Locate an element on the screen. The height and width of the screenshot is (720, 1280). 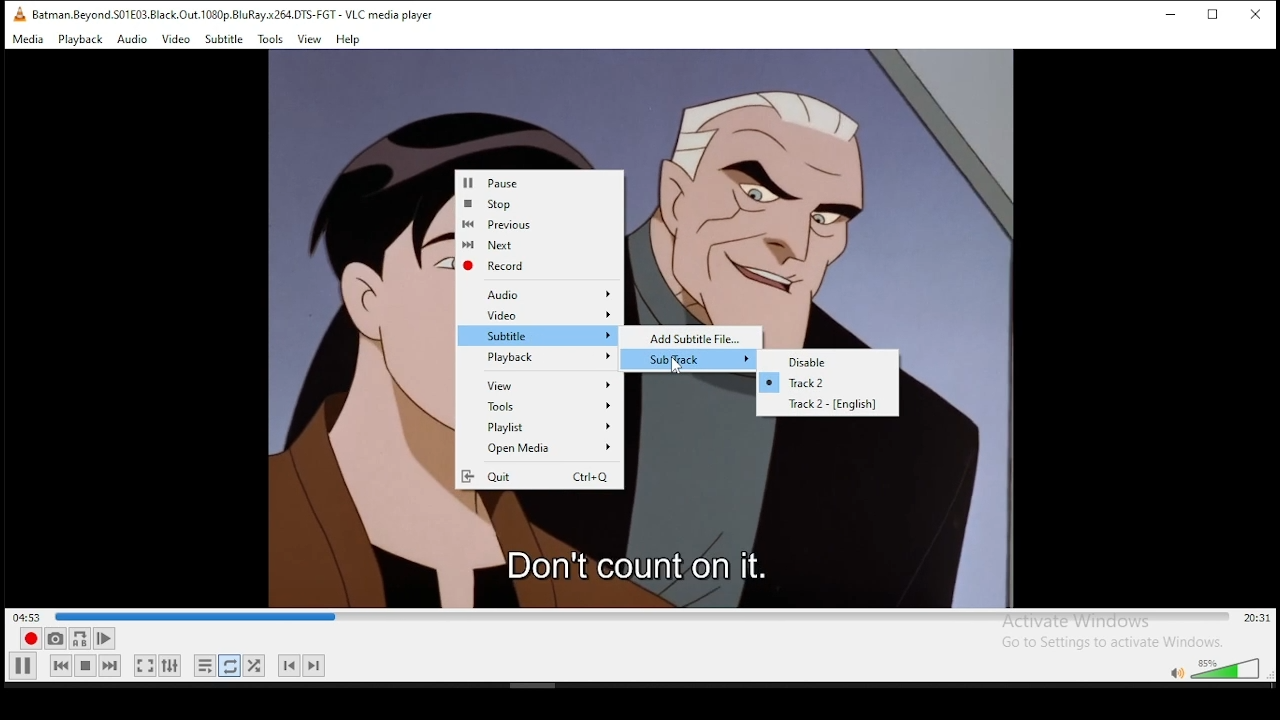
Add Subtitle File... is located at coordinates (698, 337).